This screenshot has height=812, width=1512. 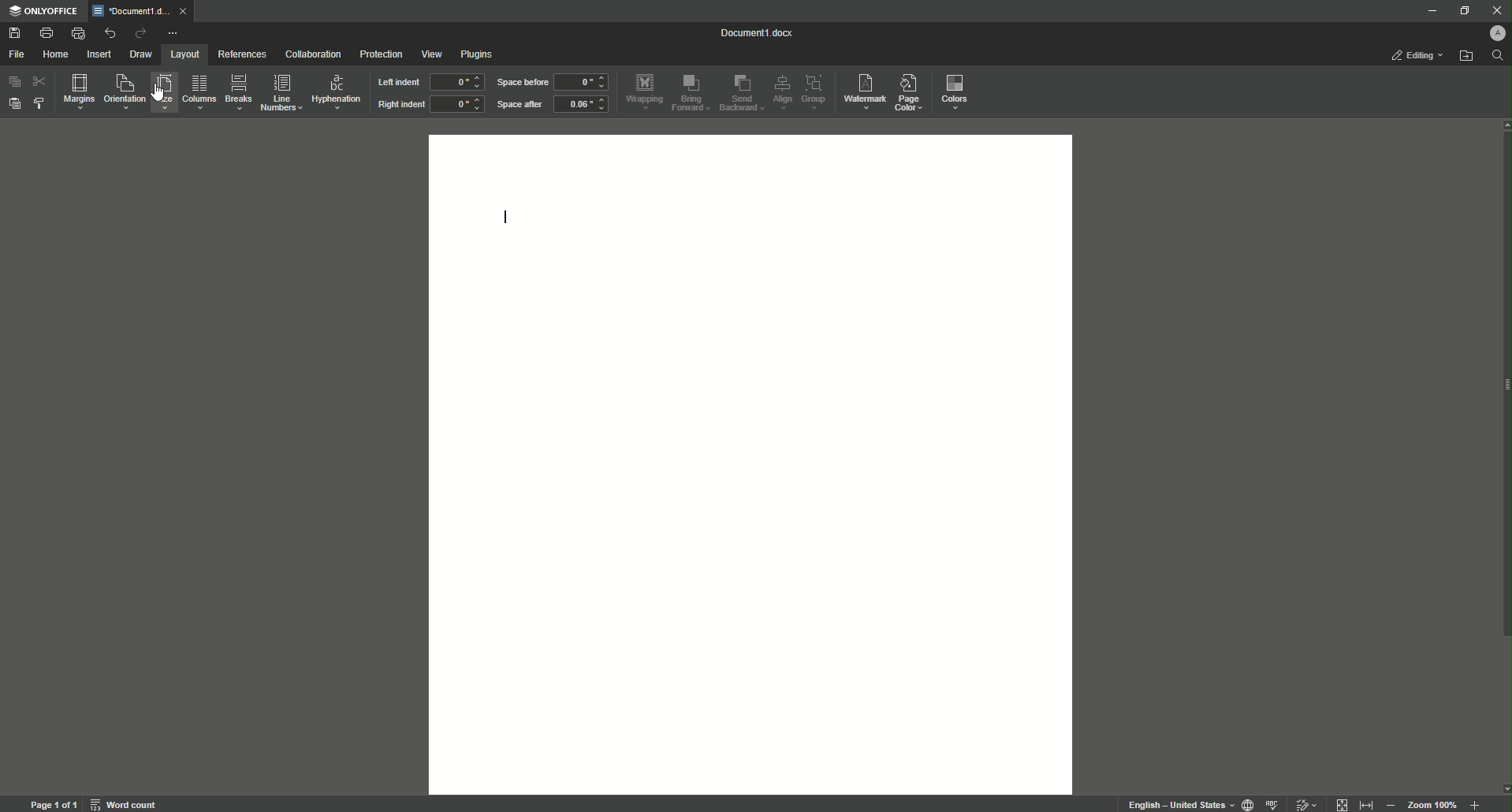 What do you see at coordinates (521, 83) in the screenshot?
I see `Space before` at bounding box center [521, 83].